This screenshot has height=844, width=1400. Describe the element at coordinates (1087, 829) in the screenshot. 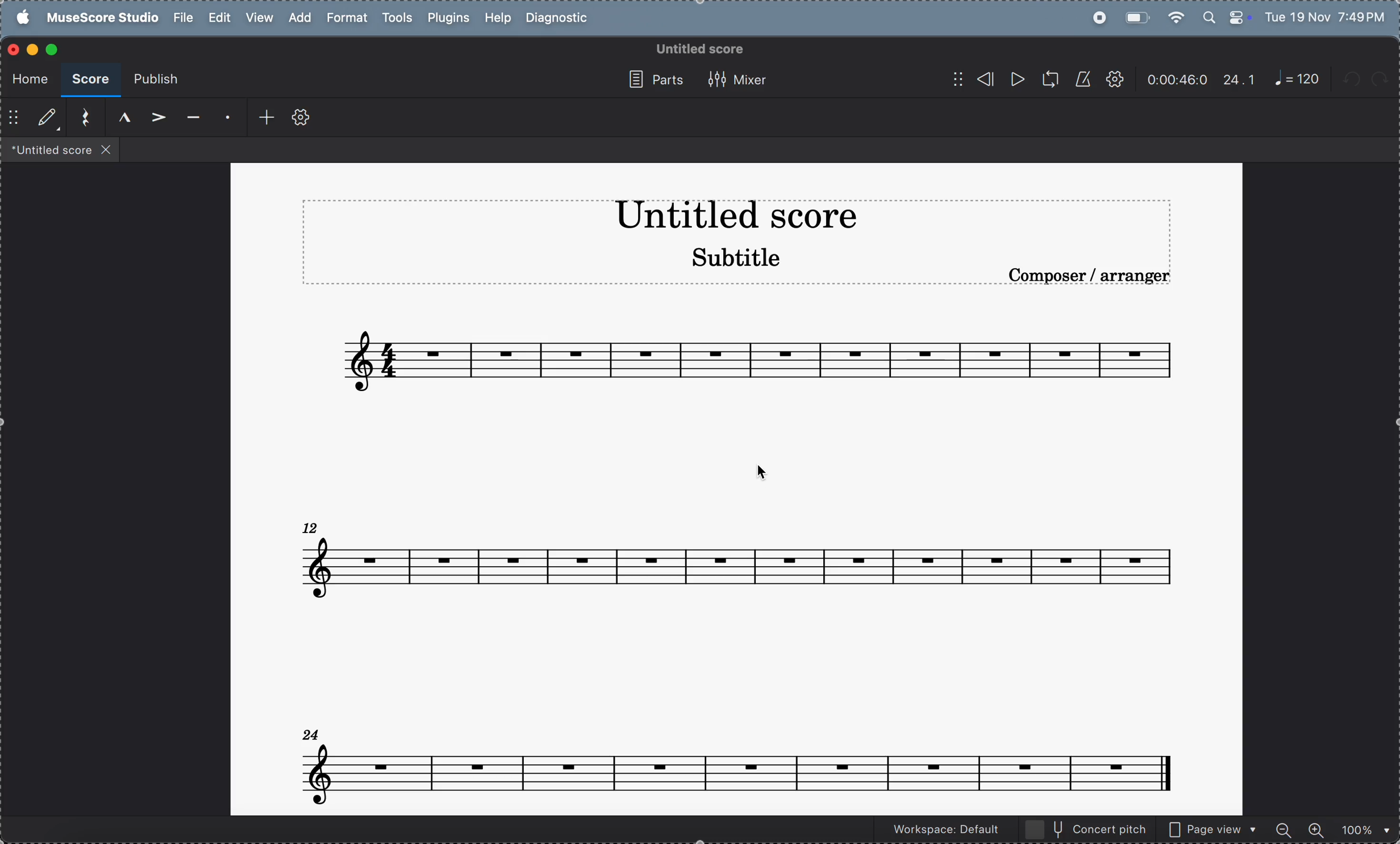

I see `concert pitch` at that location.